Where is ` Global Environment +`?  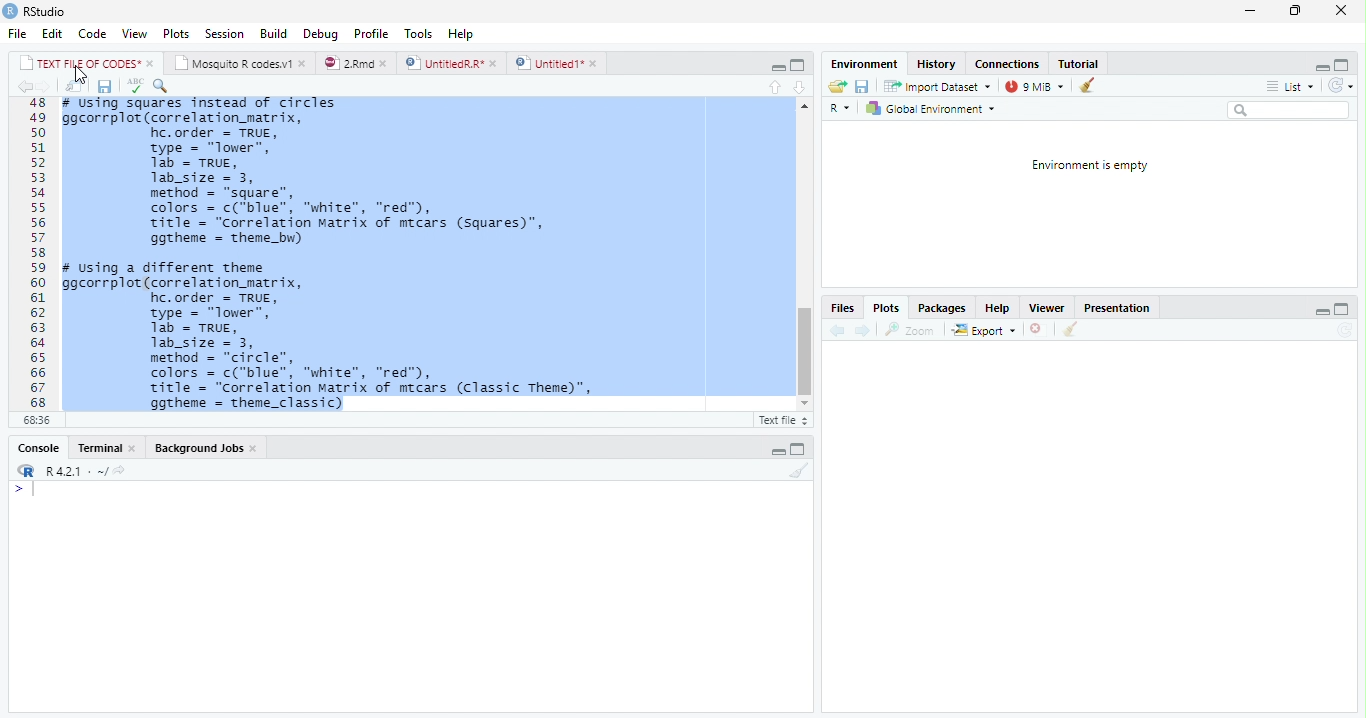
 Global Environment + is located at coordinates (937, 109).